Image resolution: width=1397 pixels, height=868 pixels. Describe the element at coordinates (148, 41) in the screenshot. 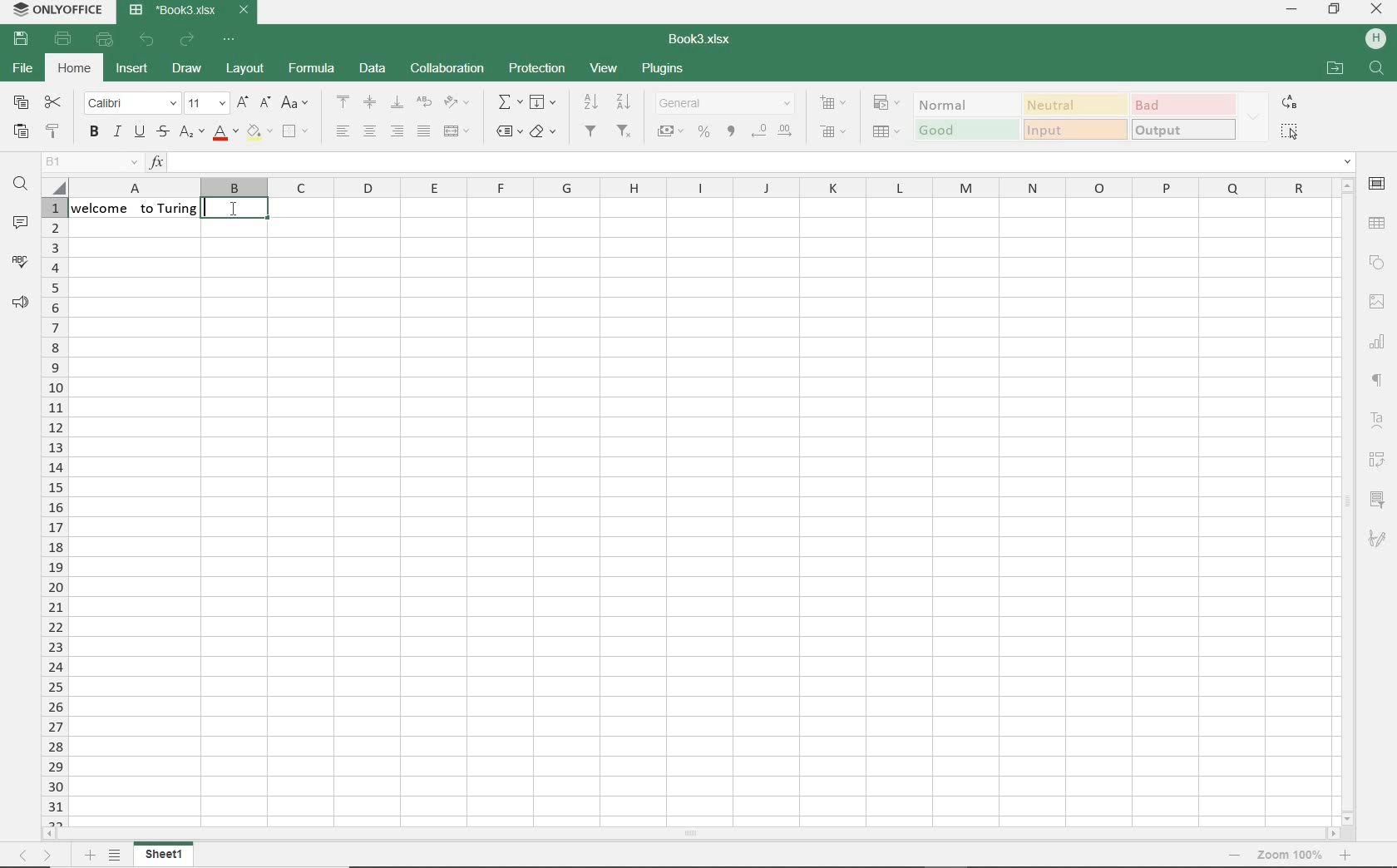

I see `undo` at that location.